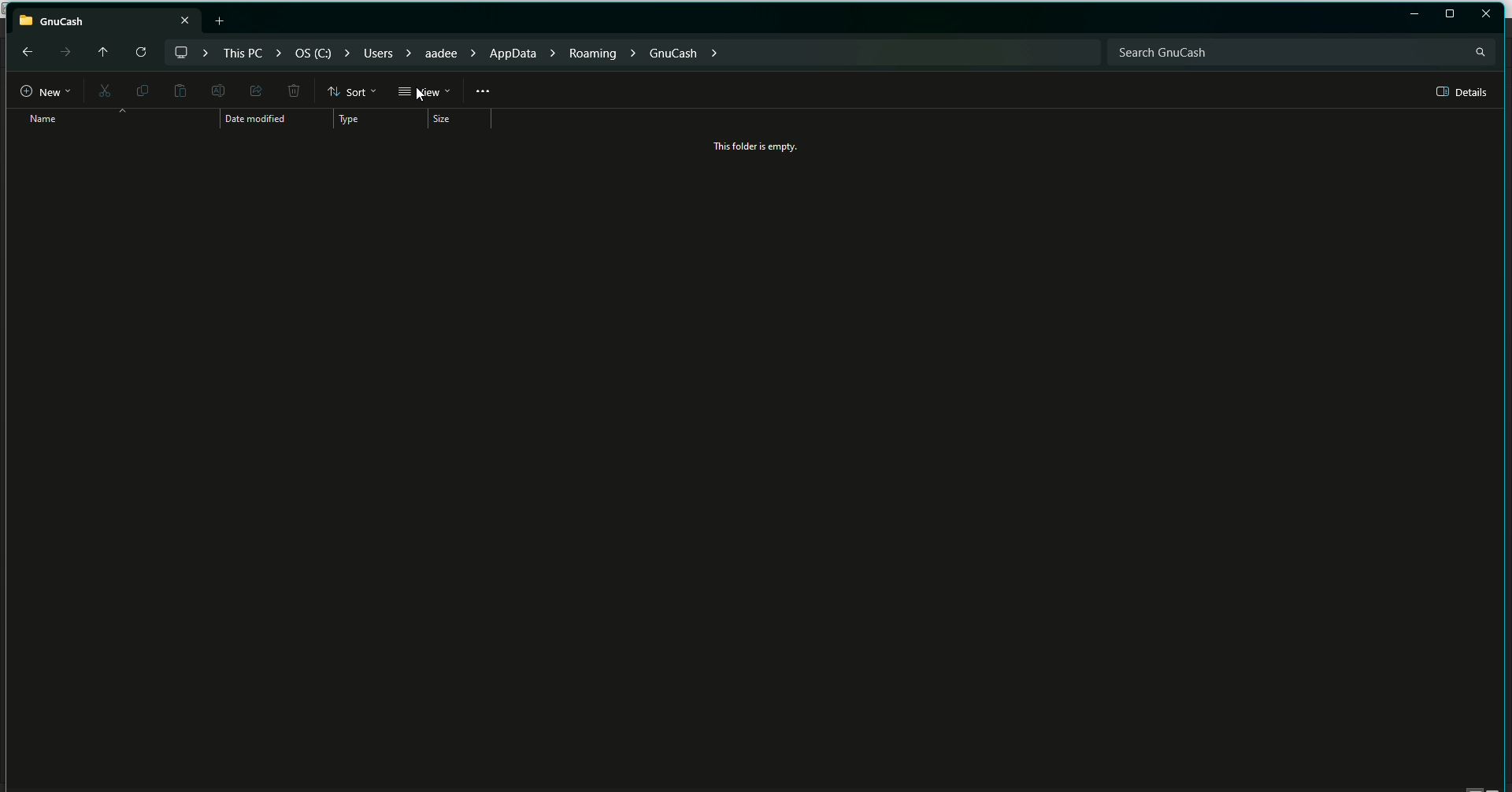 Image resolution: width=1512 pixels, height=792 pixels. Describe the element at coordinates (293, 92) in the screenshot. I see `Delete` at that location.